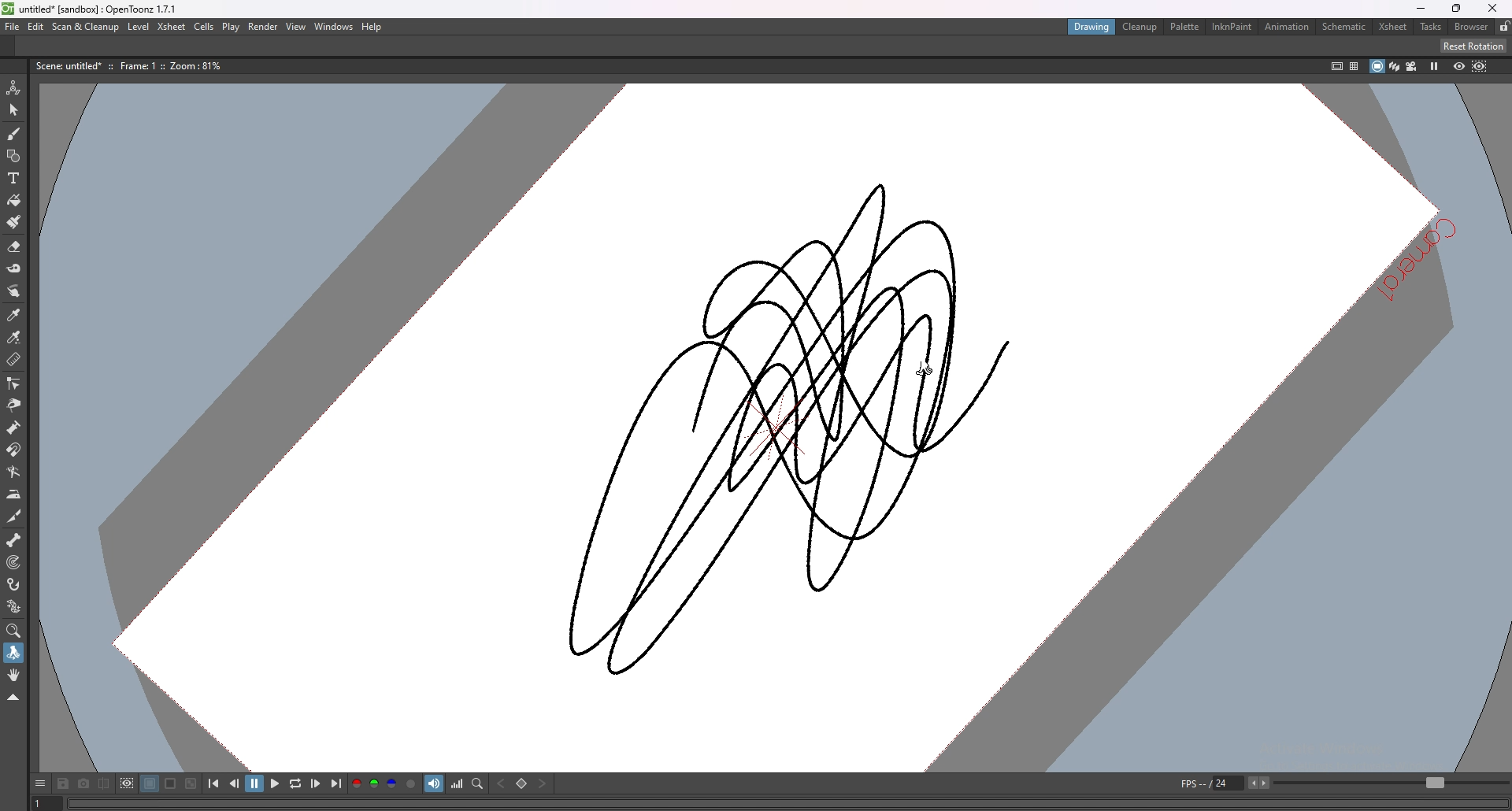 This screenshot has height=811, width=1512. Describe the element at coordinates (13, 157) in the screenshot. I see `shapes tool` at that location.